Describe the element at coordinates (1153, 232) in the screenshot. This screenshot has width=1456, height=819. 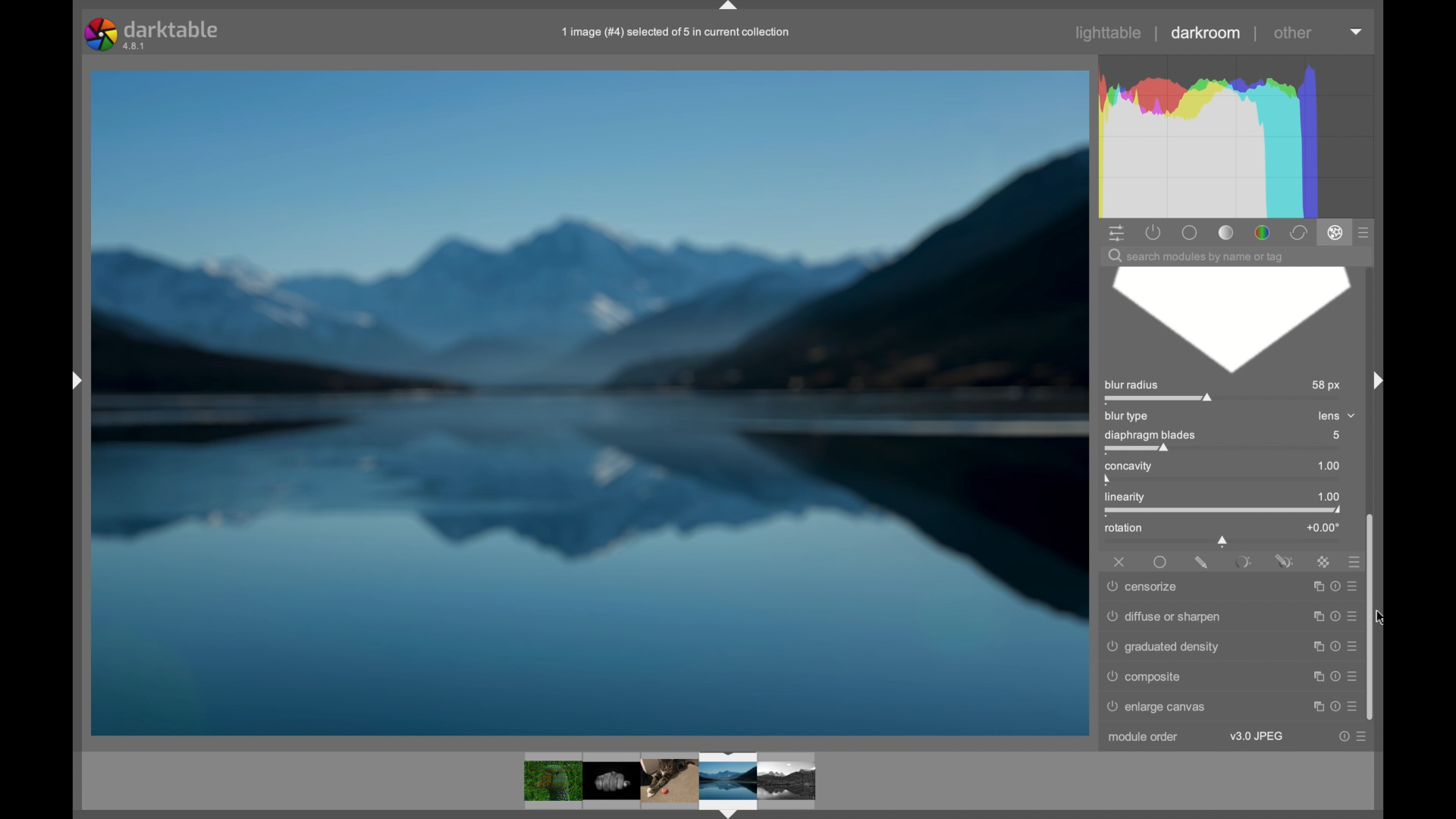
I see `show active modules only` at that location.